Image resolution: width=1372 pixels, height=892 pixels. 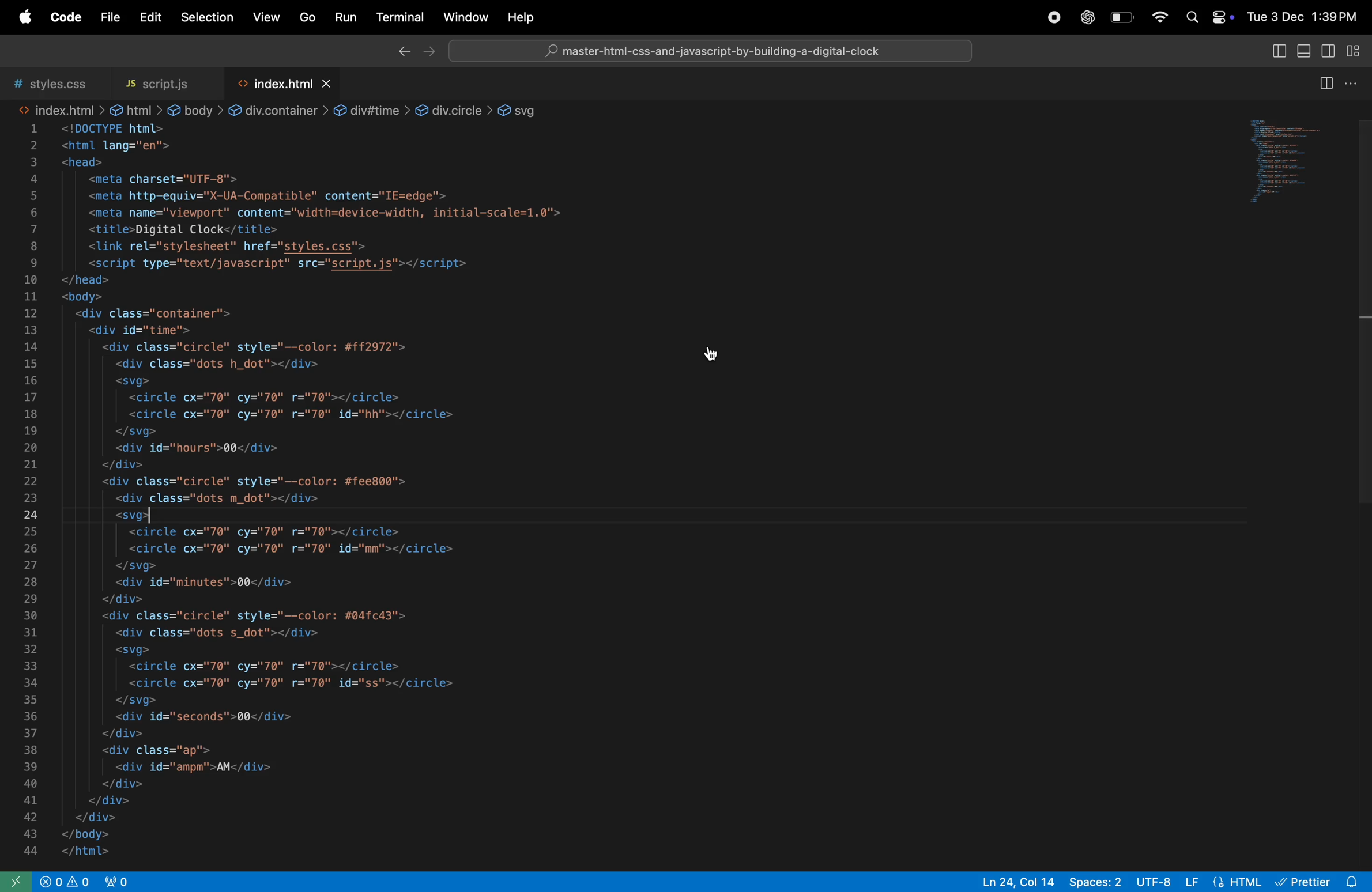 What do you see at coordinates (24, 17) in the screenshot?
I see `apple menu` at bounding box center [24, 17].